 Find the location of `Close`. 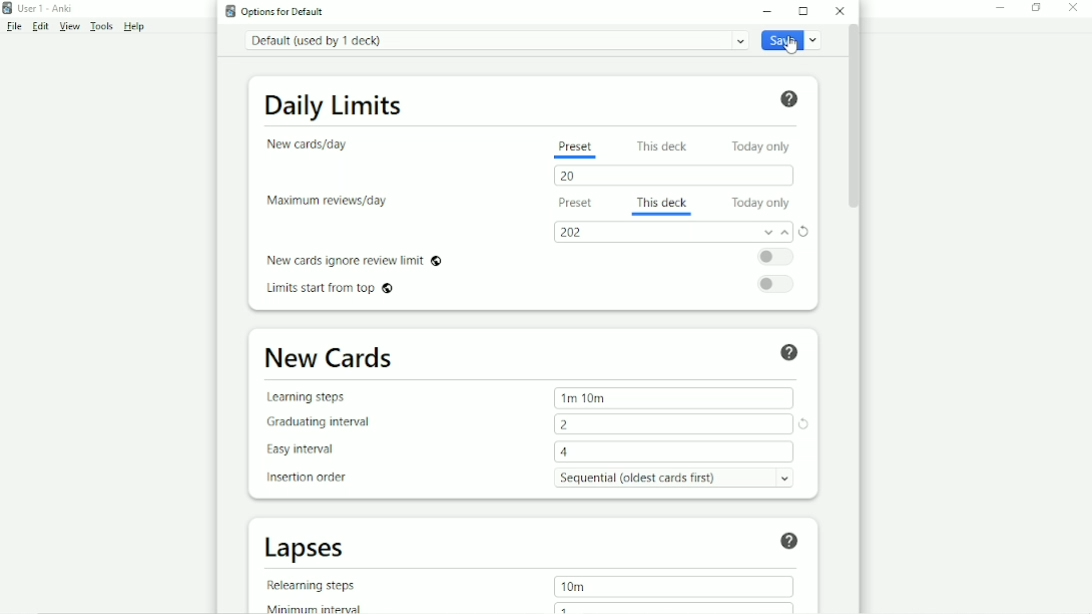

Close is located at coordinates (840, 11).